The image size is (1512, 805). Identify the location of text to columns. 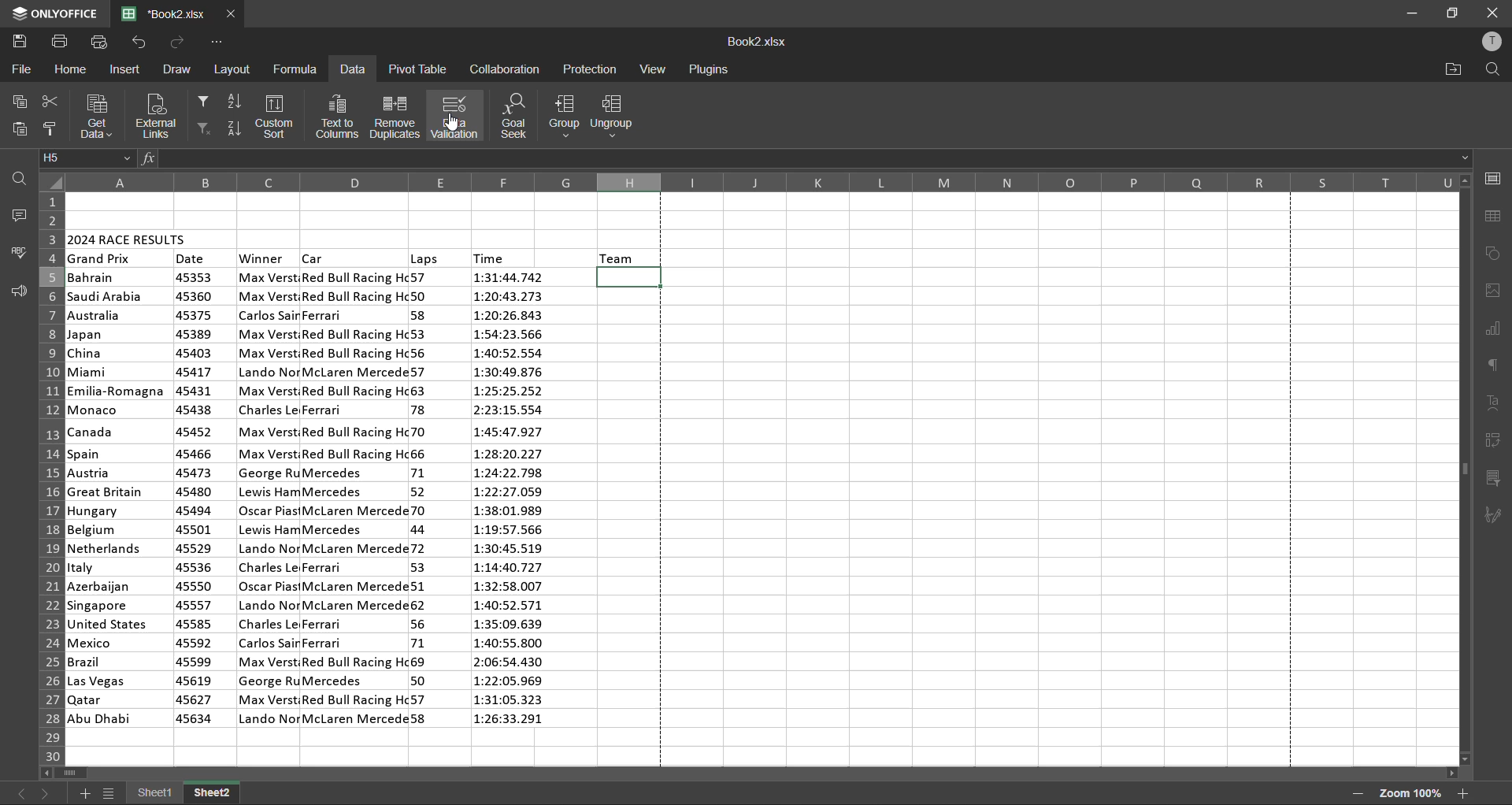
(336, 117).